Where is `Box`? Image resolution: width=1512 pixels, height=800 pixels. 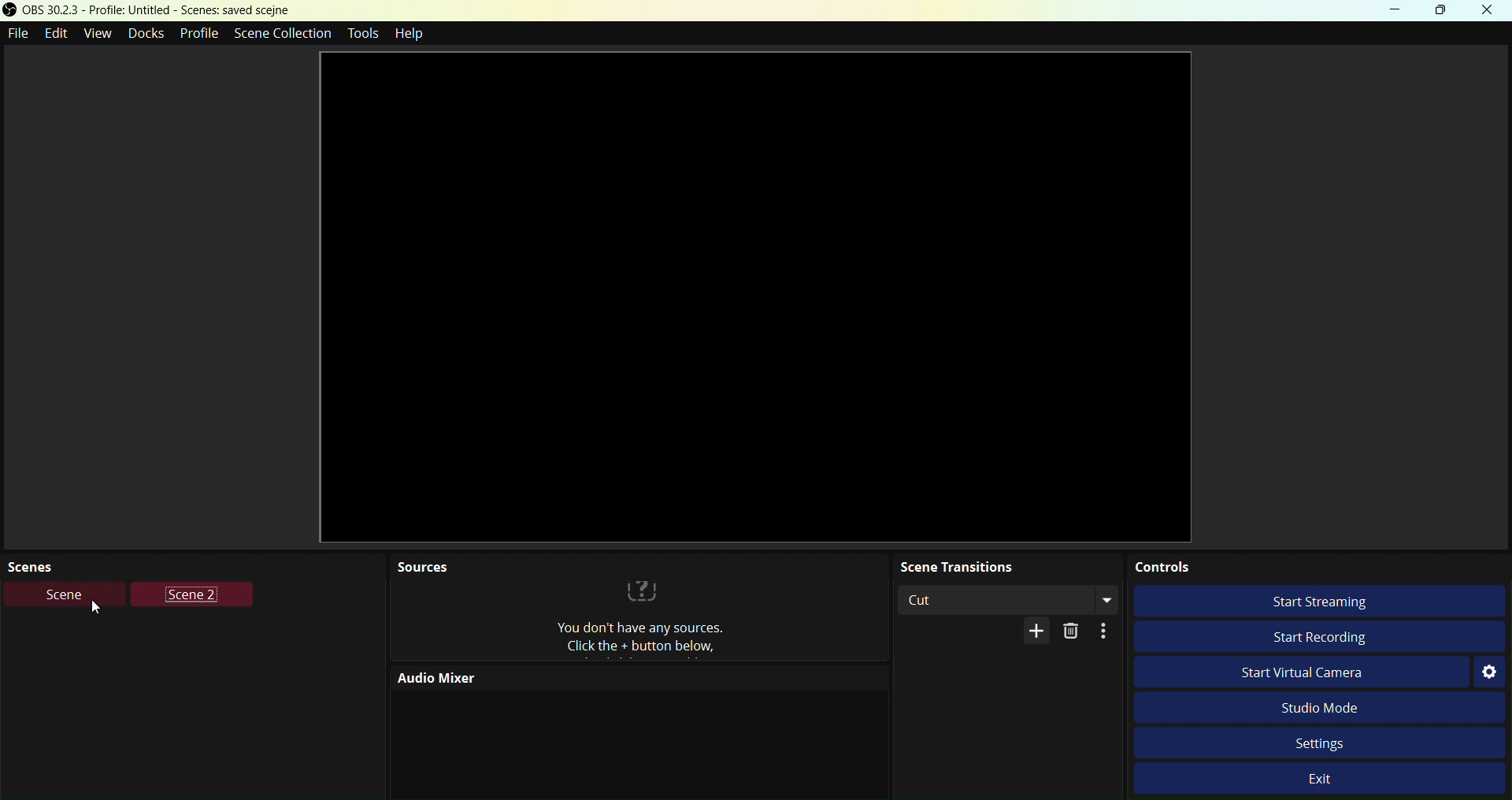 Box is located at coordinates (1447, 12).